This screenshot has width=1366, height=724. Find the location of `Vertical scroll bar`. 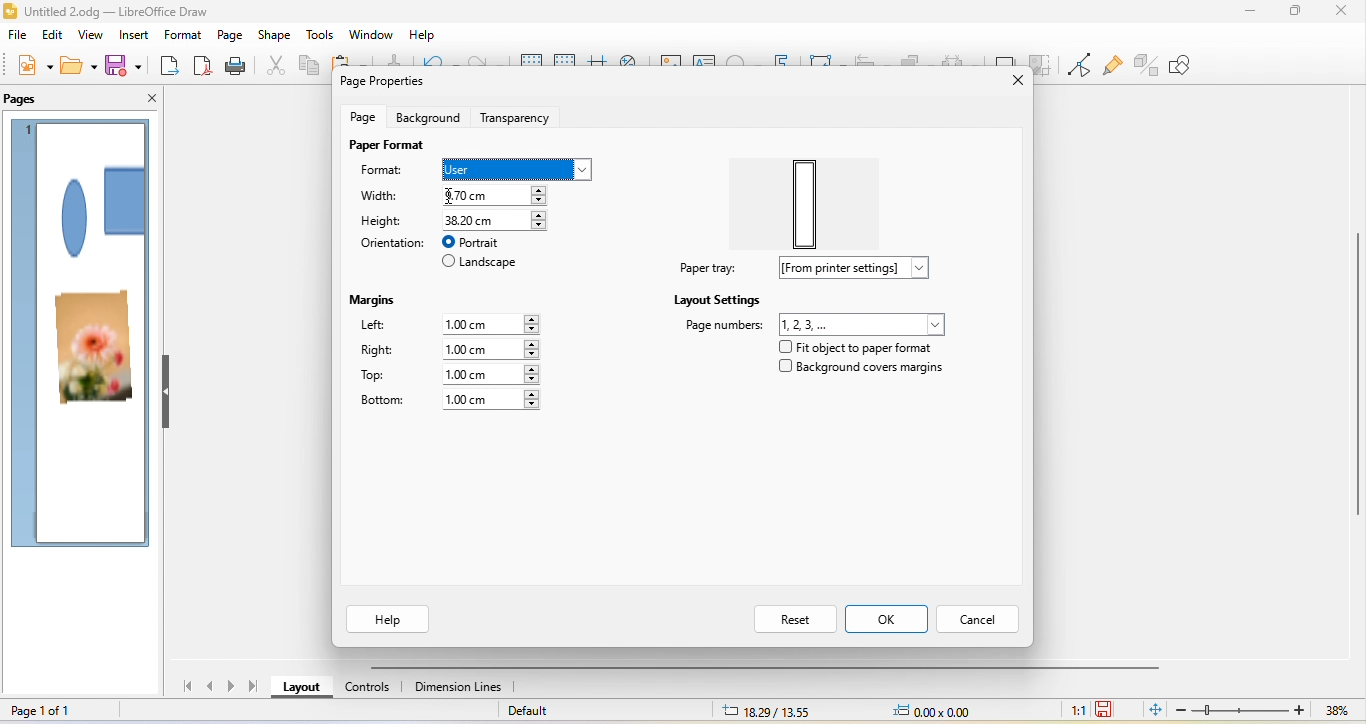

Vertical scroll bar is located at coordinates (1356, 384).